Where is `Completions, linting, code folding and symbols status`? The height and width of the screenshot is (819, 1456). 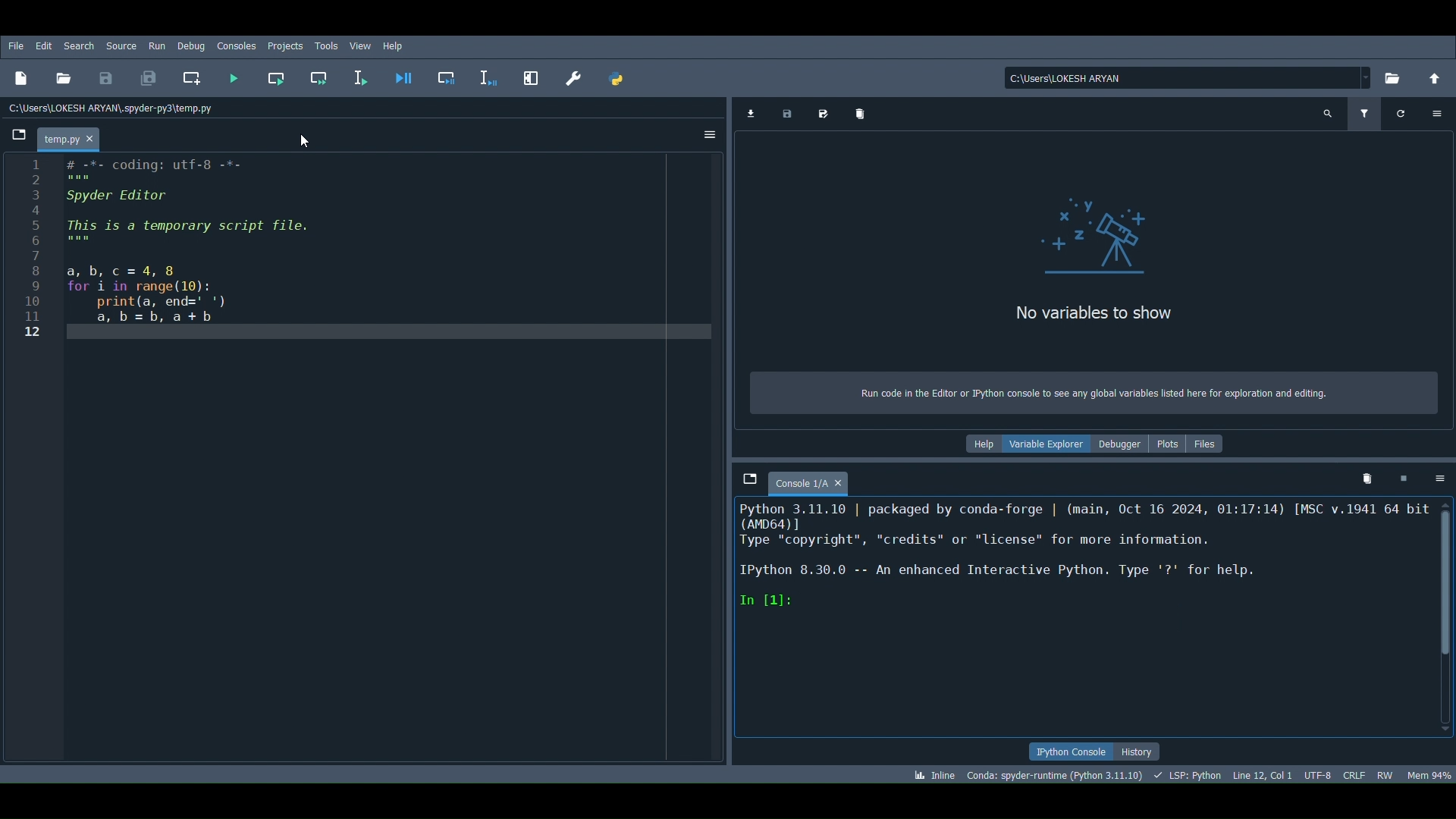
Completions, linting, code folding and symbols status is located at coordinates (1185, 772).